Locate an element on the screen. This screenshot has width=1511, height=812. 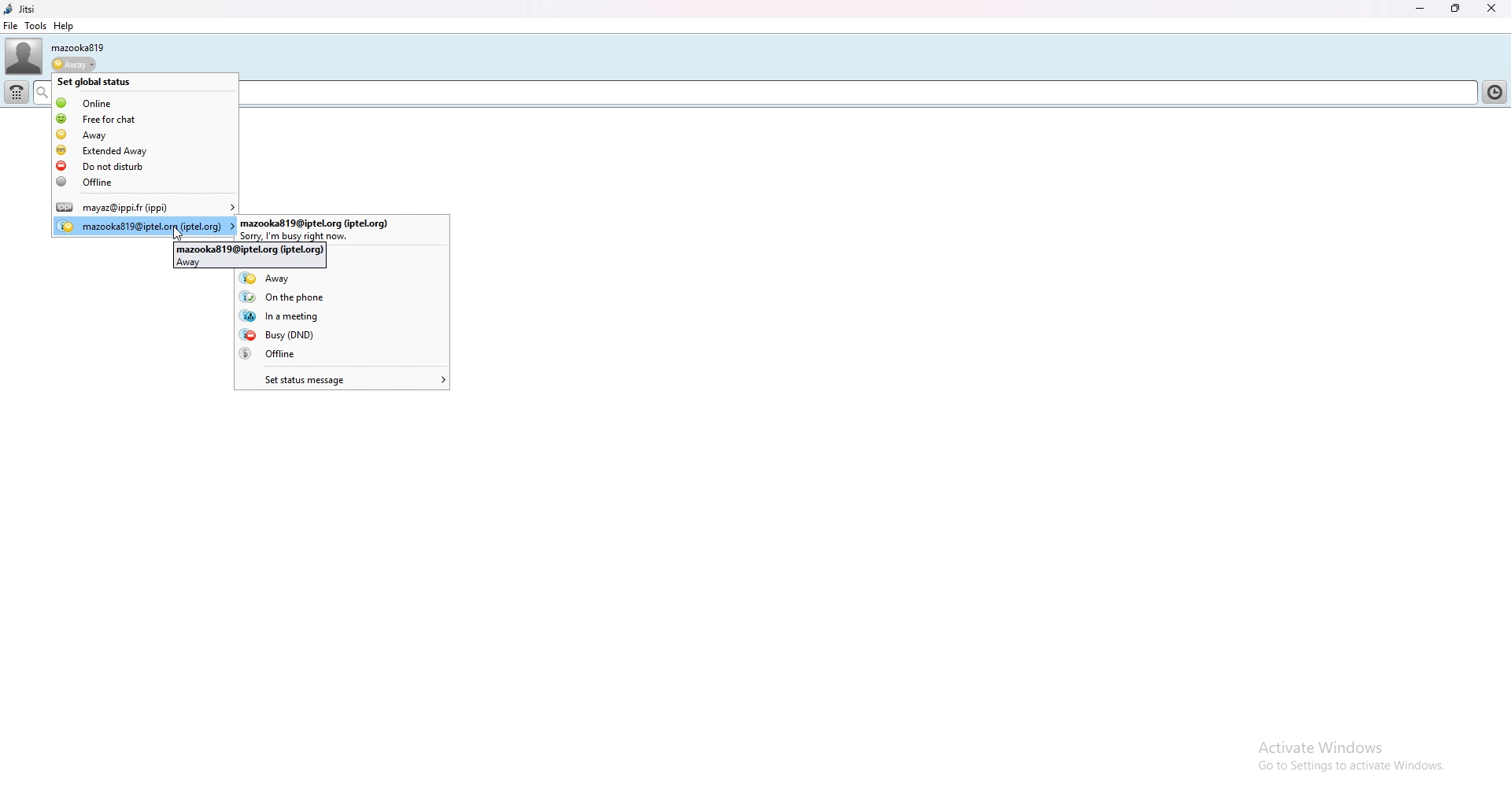
on the phone is located at coordinates (342, 296).